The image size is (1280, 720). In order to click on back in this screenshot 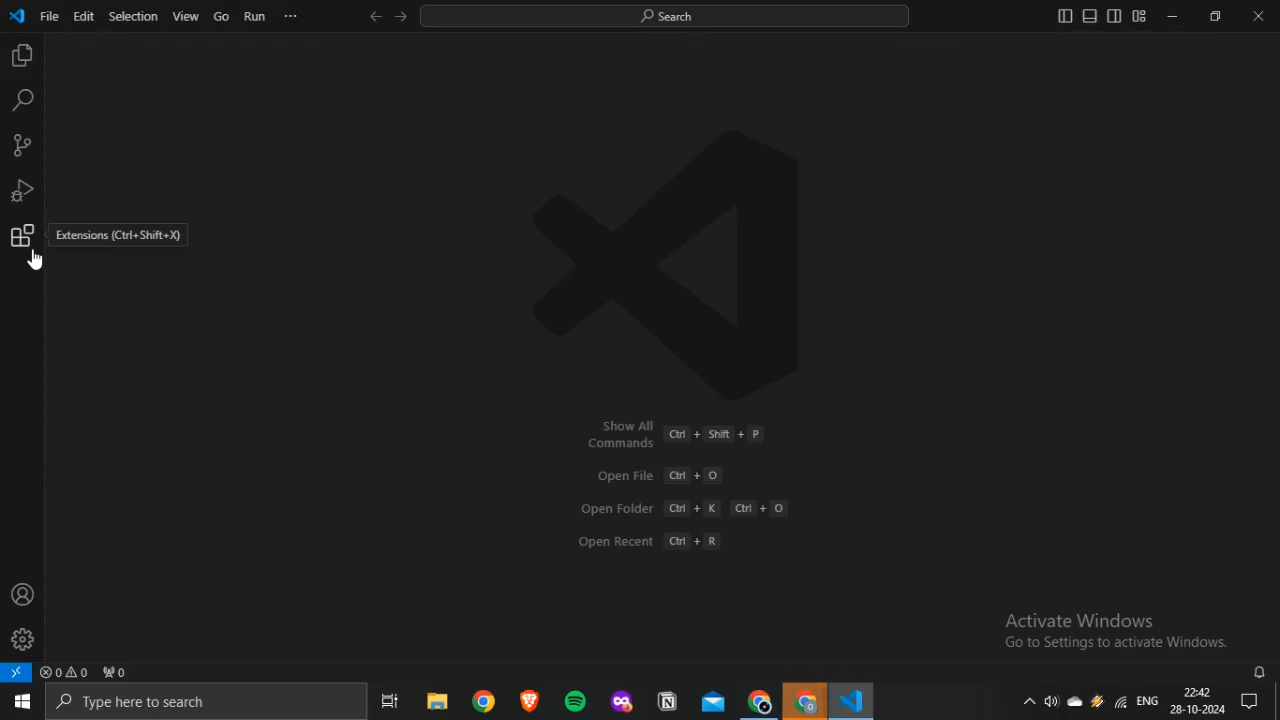, I will do `click(376, 16)`.